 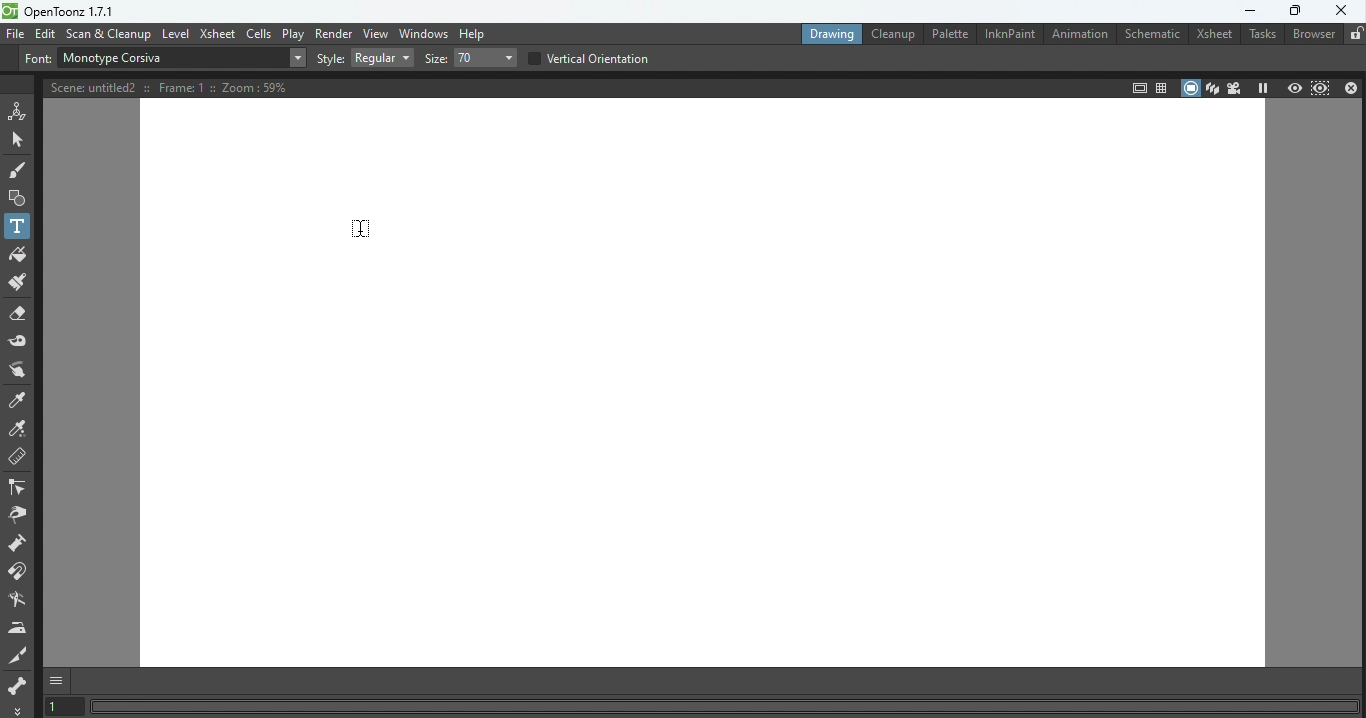 What do you see at coordinates (295, 33) in the screenshot?
I see `Play` at bounding box center [295, 33].